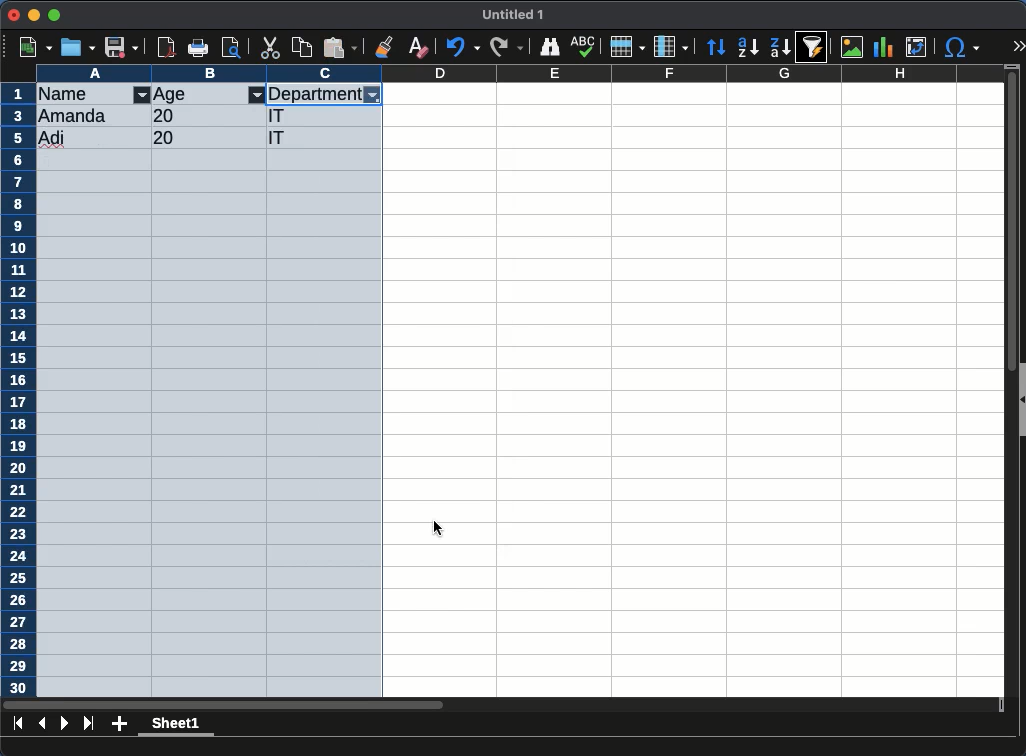 This screenshot has height=756, width=1026. Describe the element at coordinates (884, 47) in the screenshot. I see `chart` at that location.